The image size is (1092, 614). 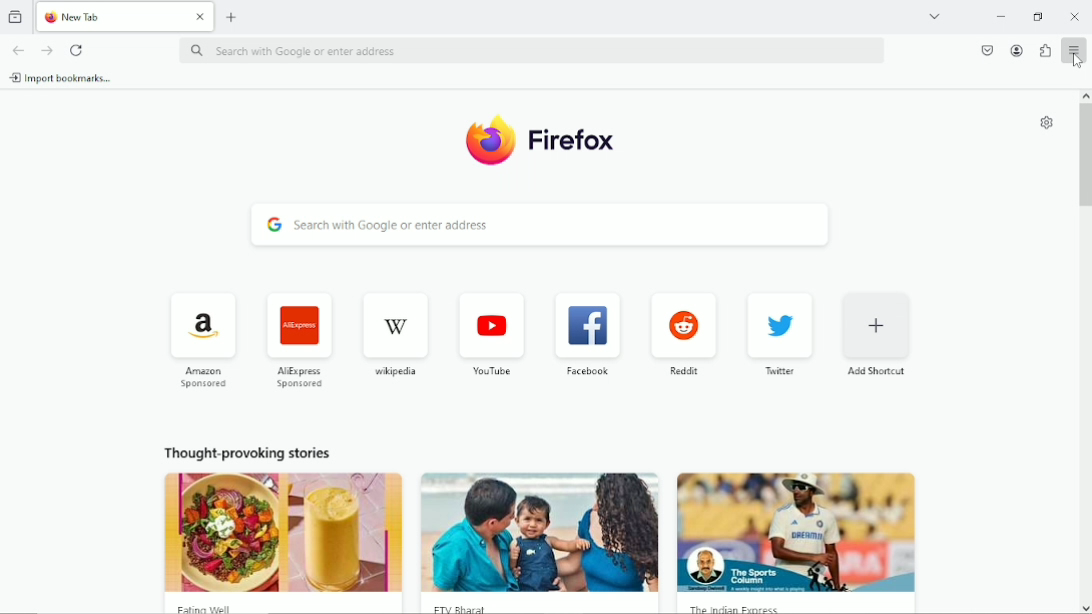 I want to click on cursor, so click(x=1077, y=59).